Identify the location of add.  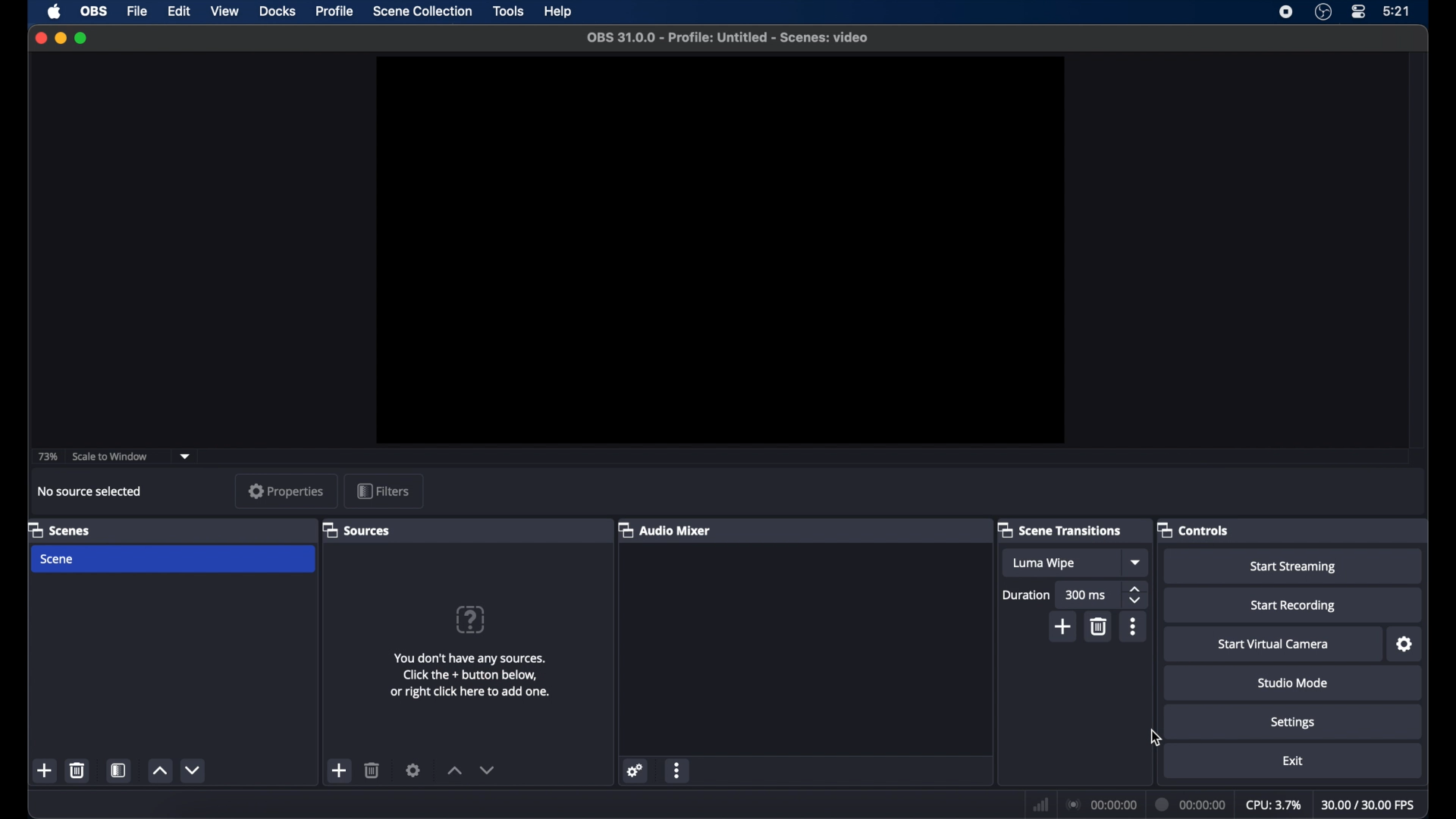
(1065, 626).